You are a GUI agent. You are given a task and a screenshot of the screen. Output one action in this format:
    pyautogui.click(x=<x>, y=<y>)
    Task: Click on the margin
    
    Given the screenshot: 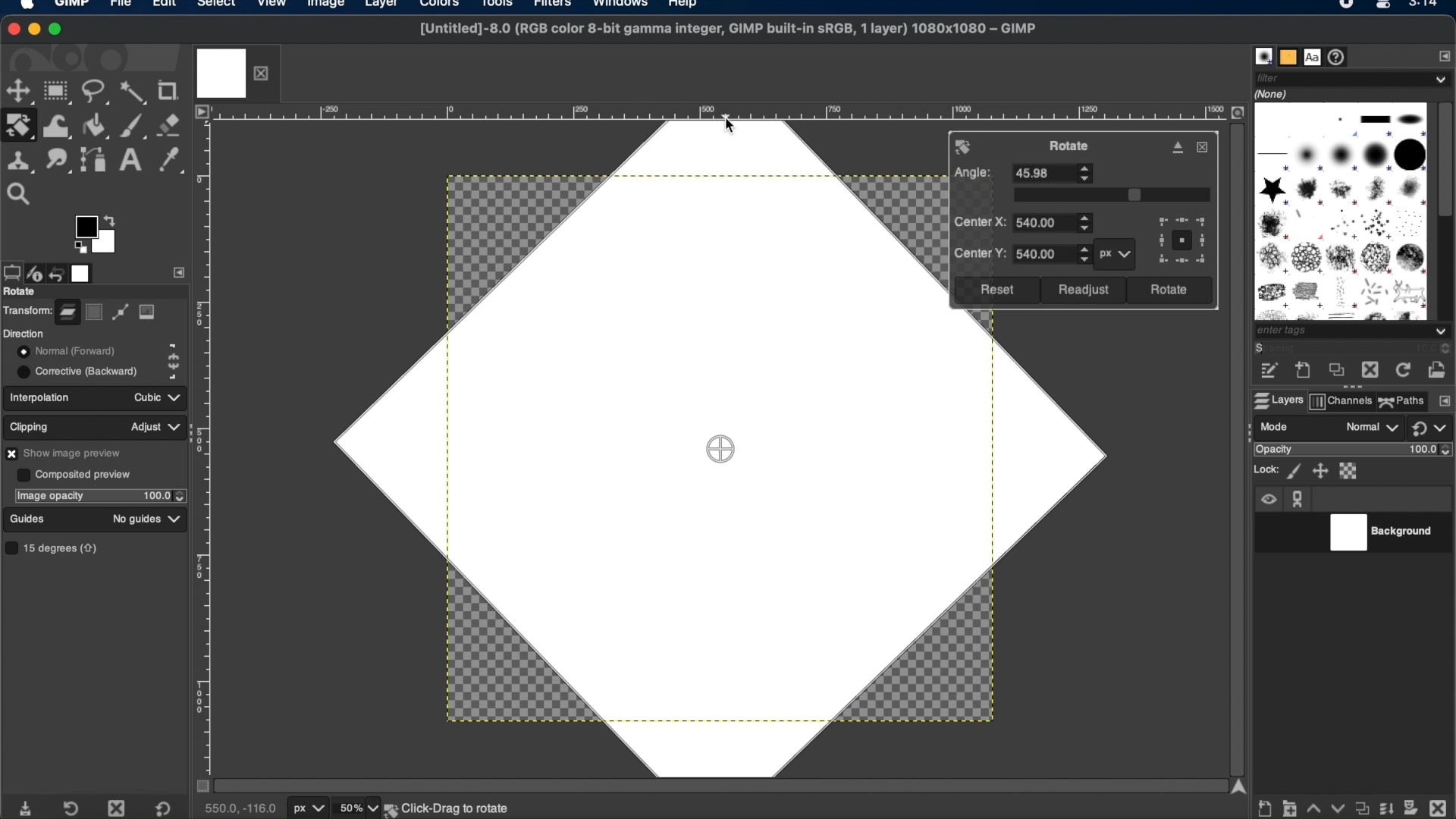 What is the action you would take?
    pyautogui.click(x=720, y=114)
    